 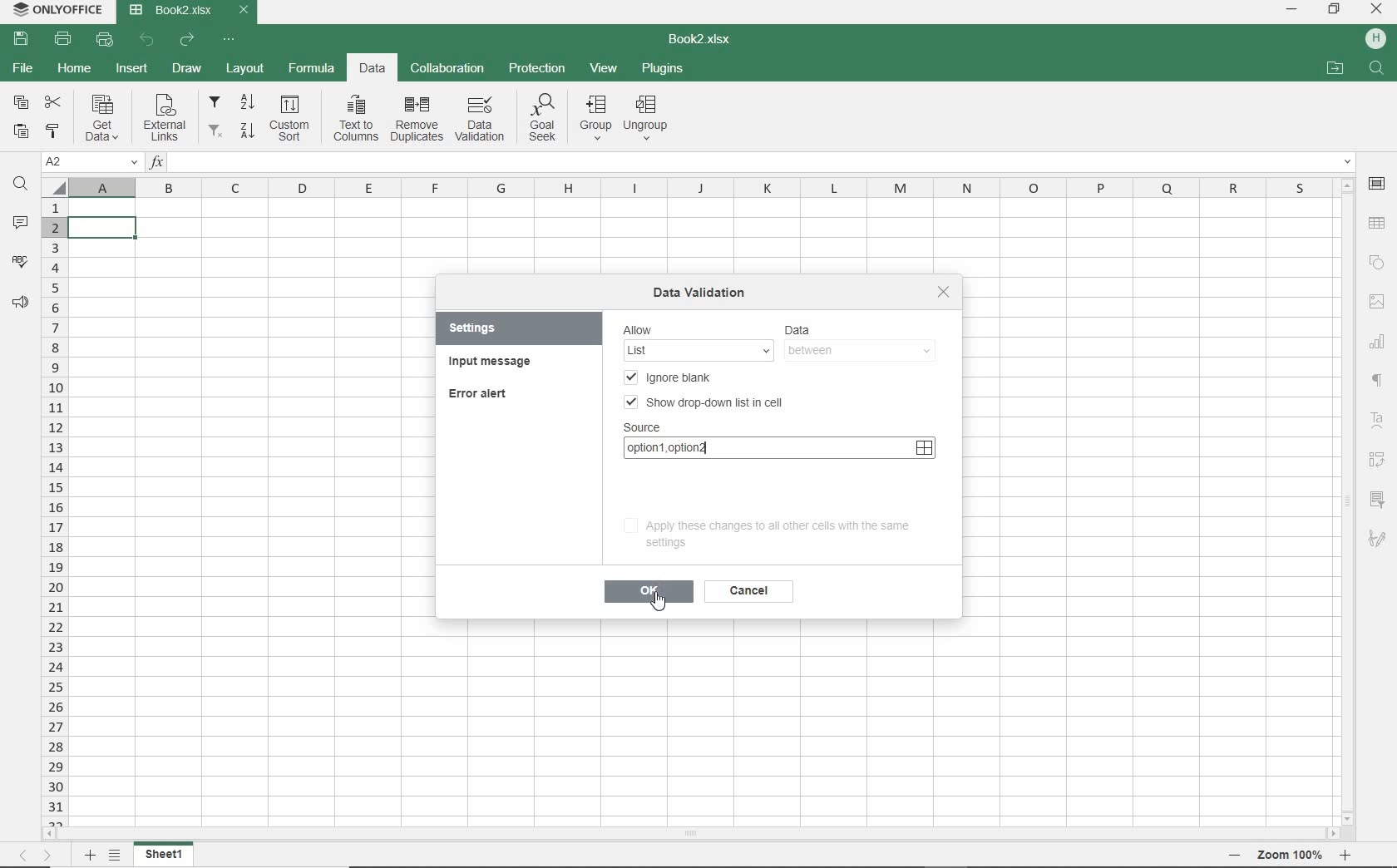 What do you see at coordinates (53, 508) in the screenshot?
I see `ROWS` at bounding box center [53, 508].